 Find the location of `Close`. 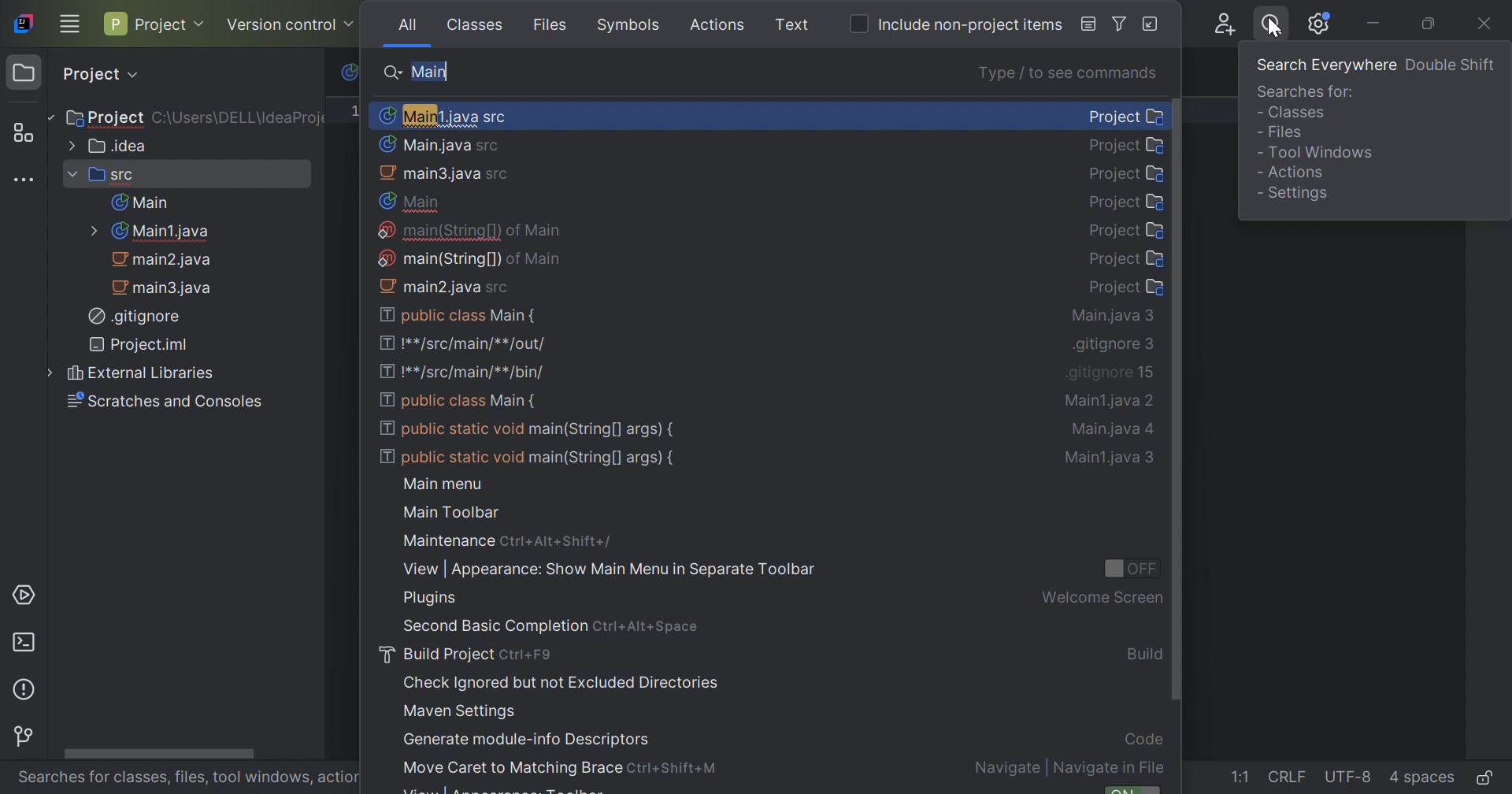

Close is located at coordinates (1489, 24).